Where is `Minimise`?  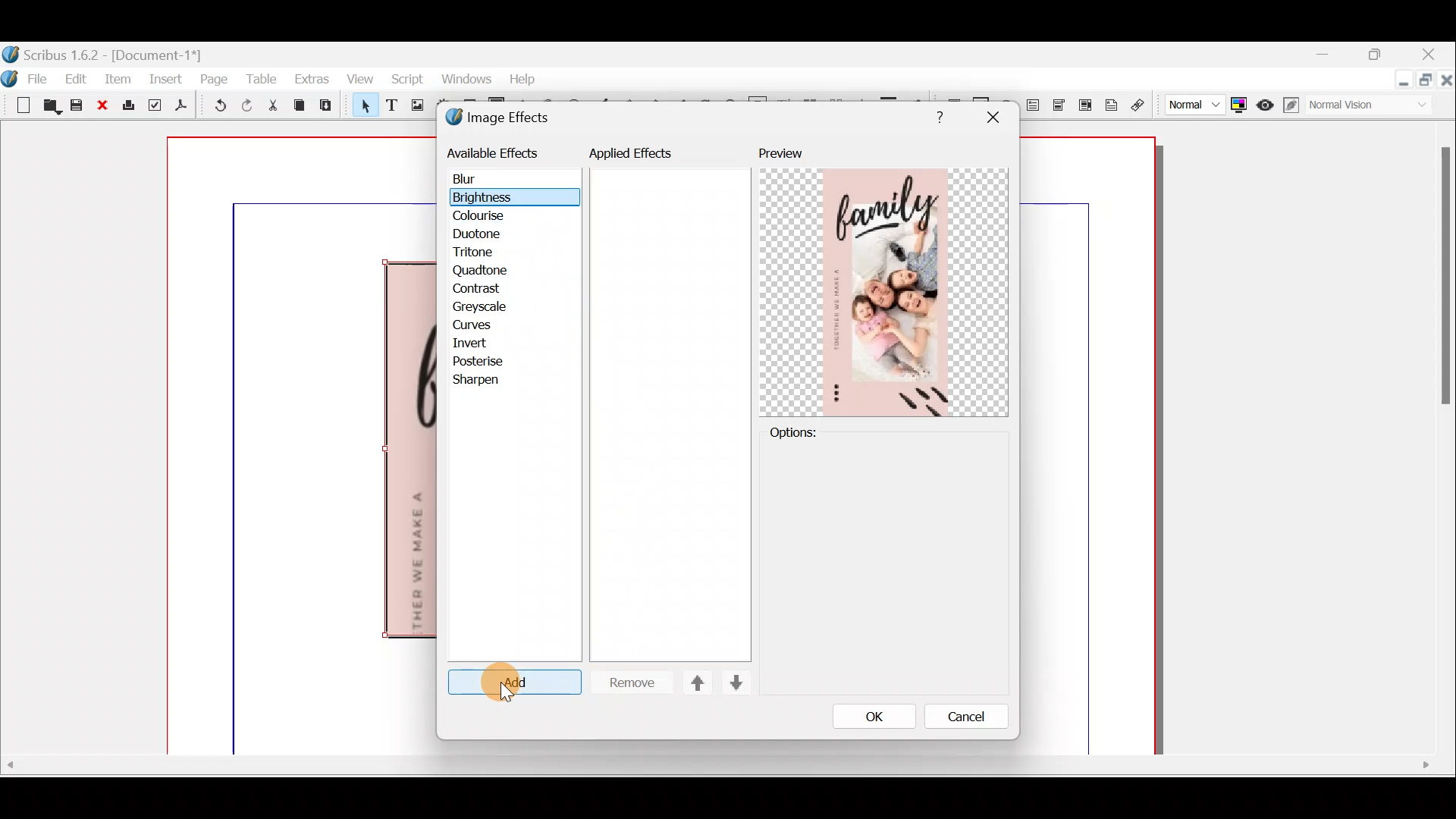
Minimise is located at coordinates (1332, 55).